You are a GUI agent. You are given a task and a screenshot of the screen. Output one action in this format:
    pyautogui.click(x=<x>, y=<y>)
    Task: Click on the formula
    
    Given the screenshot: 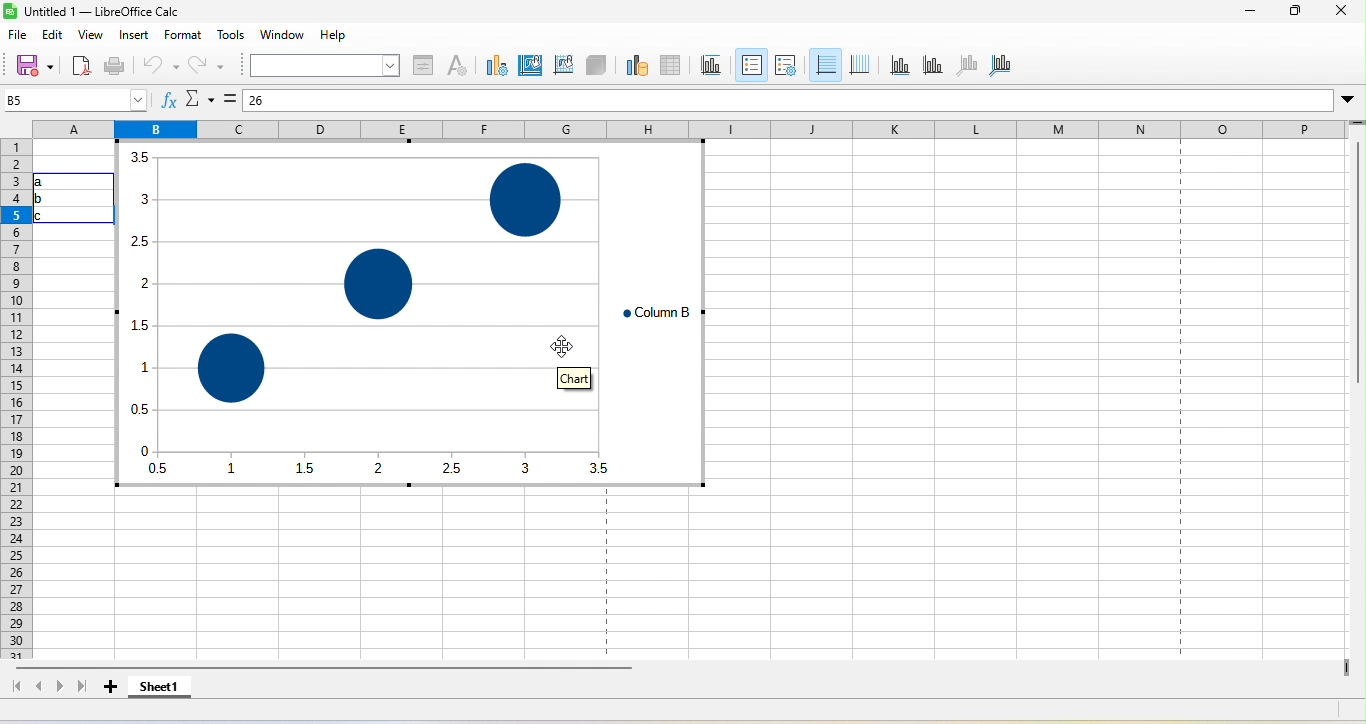 What is the action you would take?
    pyautogui.click(x=231, y=97)
    